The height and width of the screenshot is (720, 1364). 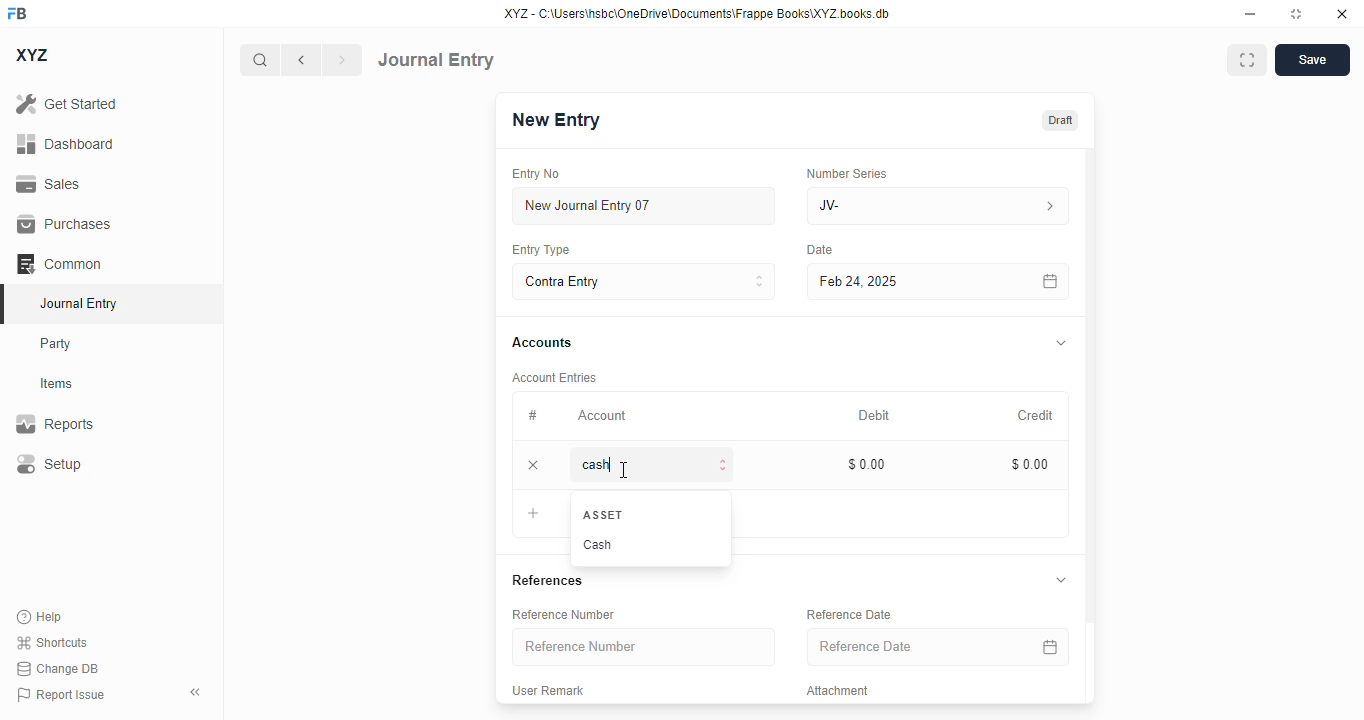 What do you see at coordinates (1247, 60) in the screenshot?
I see `maximise window` at bounding box center [1247, 60].